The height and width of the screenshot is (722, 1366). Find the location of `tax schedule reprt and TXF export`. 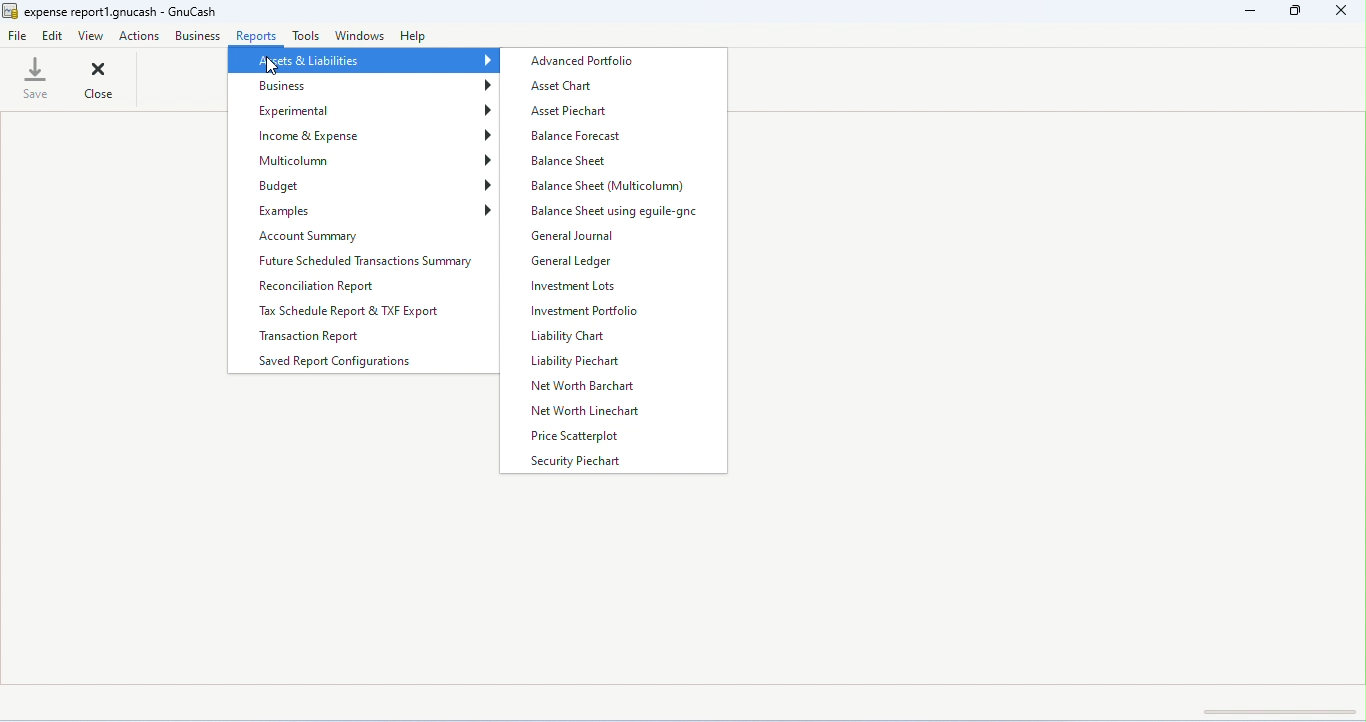

tax schedule reprt and TXF export is located at coordinates (358, 310).